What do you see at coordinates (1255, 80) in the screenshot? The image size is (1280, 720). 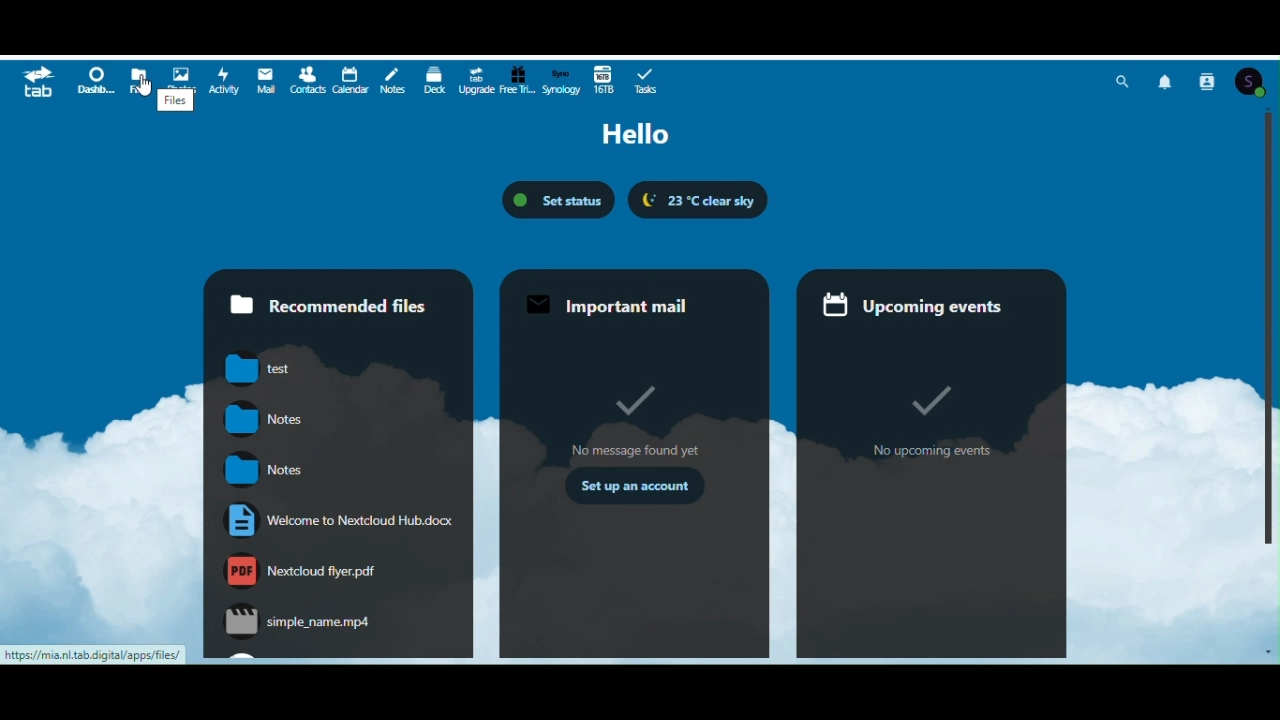 I see `Account icon` at bounding box center [1255, 80].